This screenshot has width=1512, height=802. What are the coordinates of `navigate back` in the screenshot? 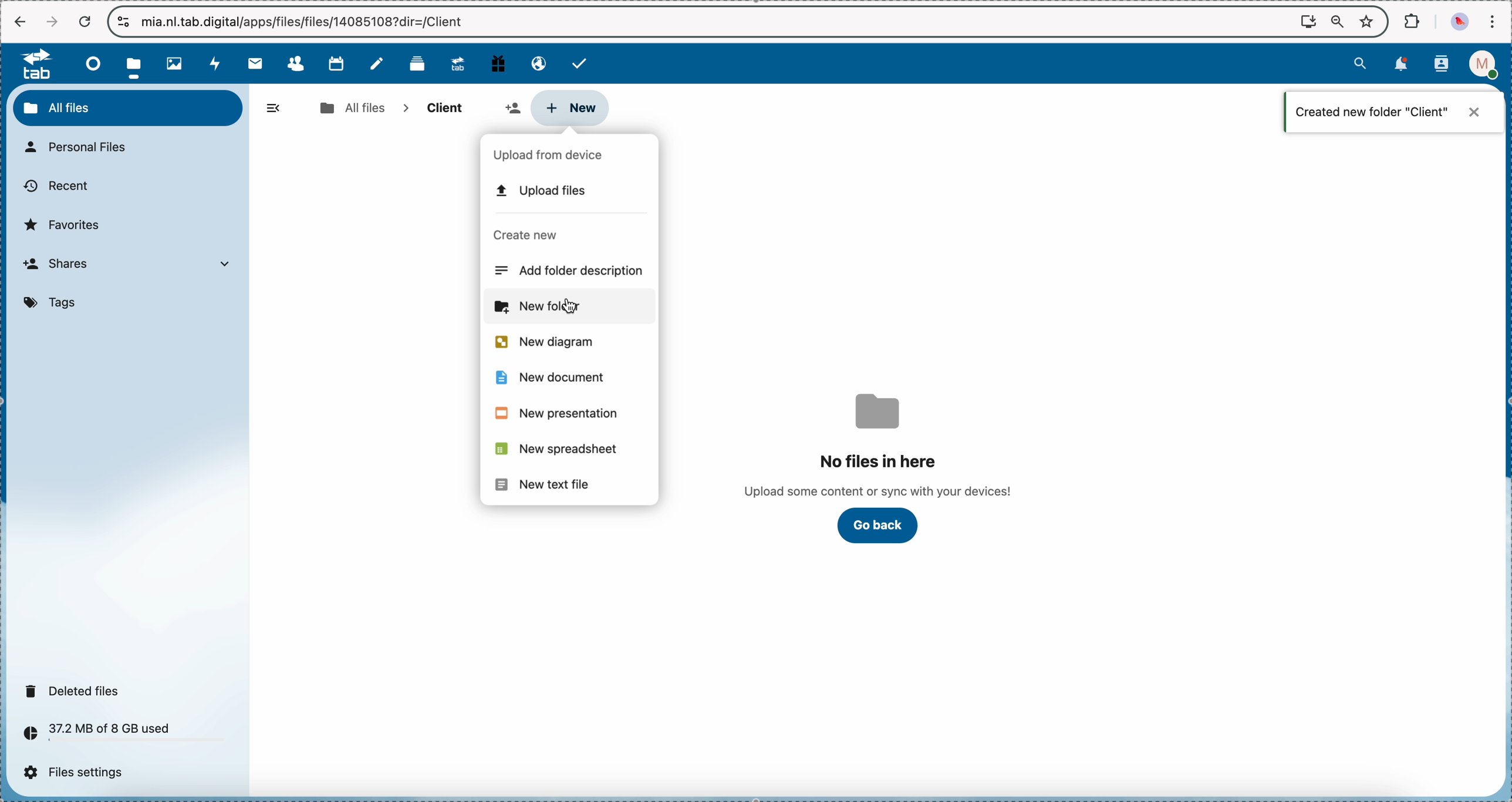 It's located at (21, 23).